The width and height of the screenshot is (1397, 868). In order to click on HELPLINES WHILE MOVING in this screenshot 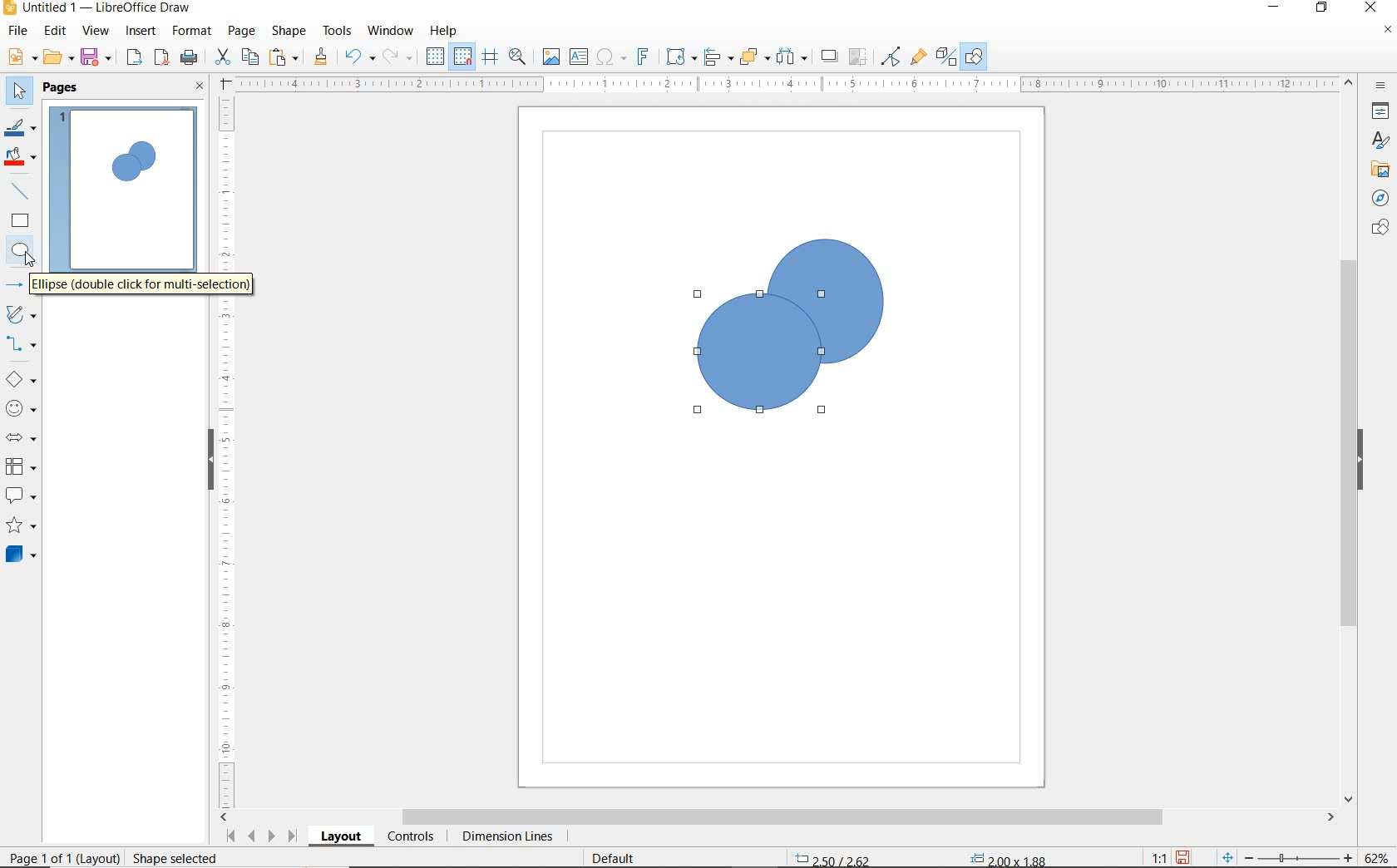, I will do `click(490, 57)`.